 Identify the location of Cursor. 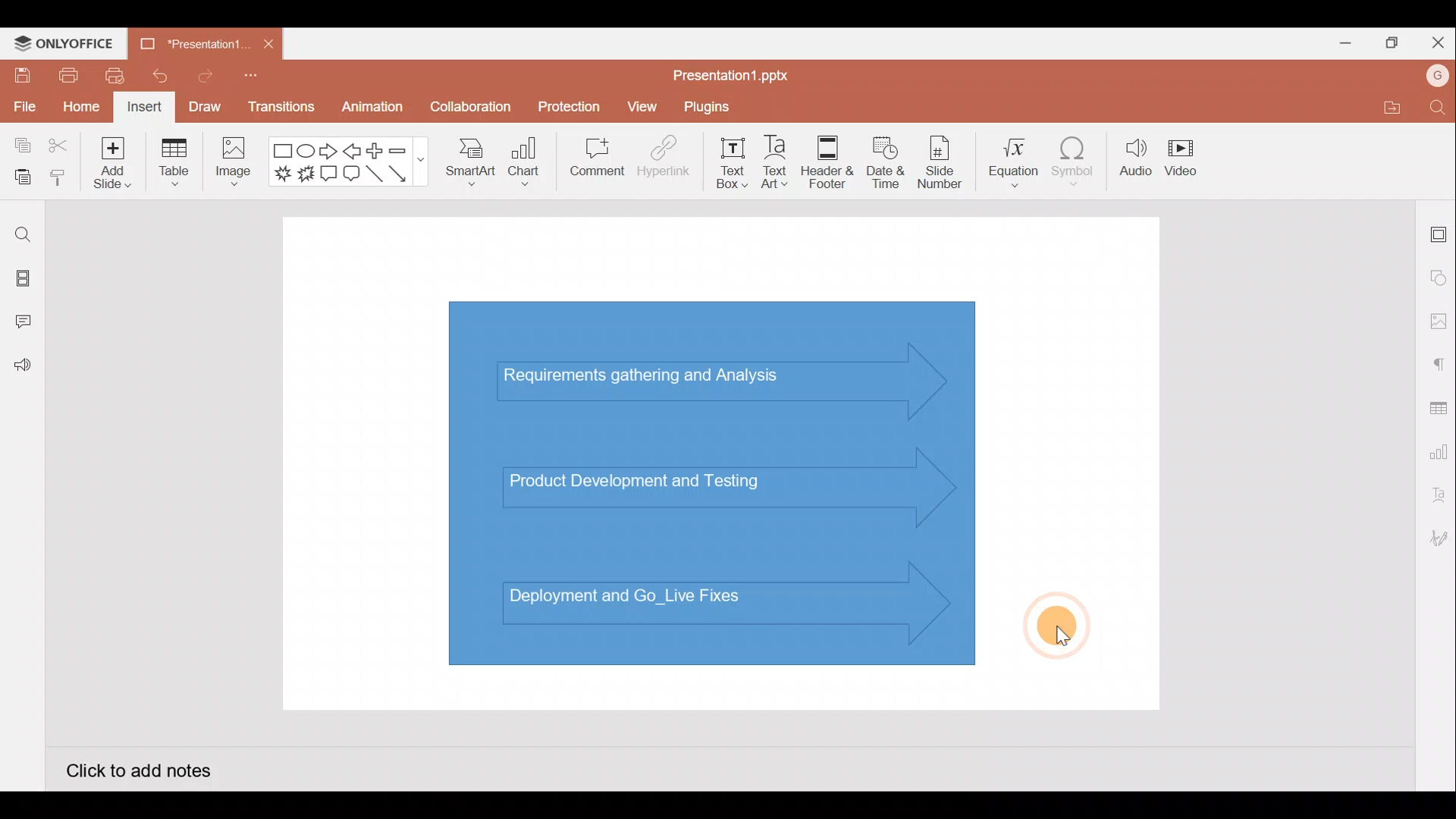
(1056, 620).